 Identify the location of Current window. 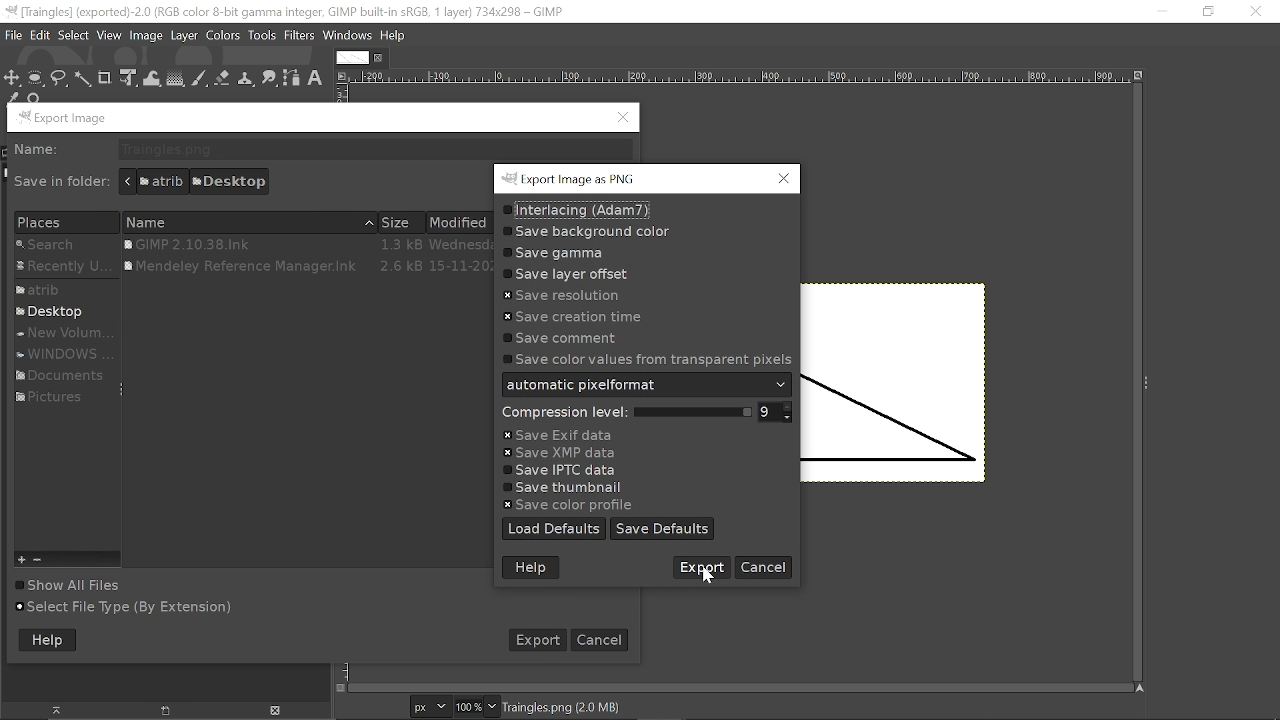
(571, 180).